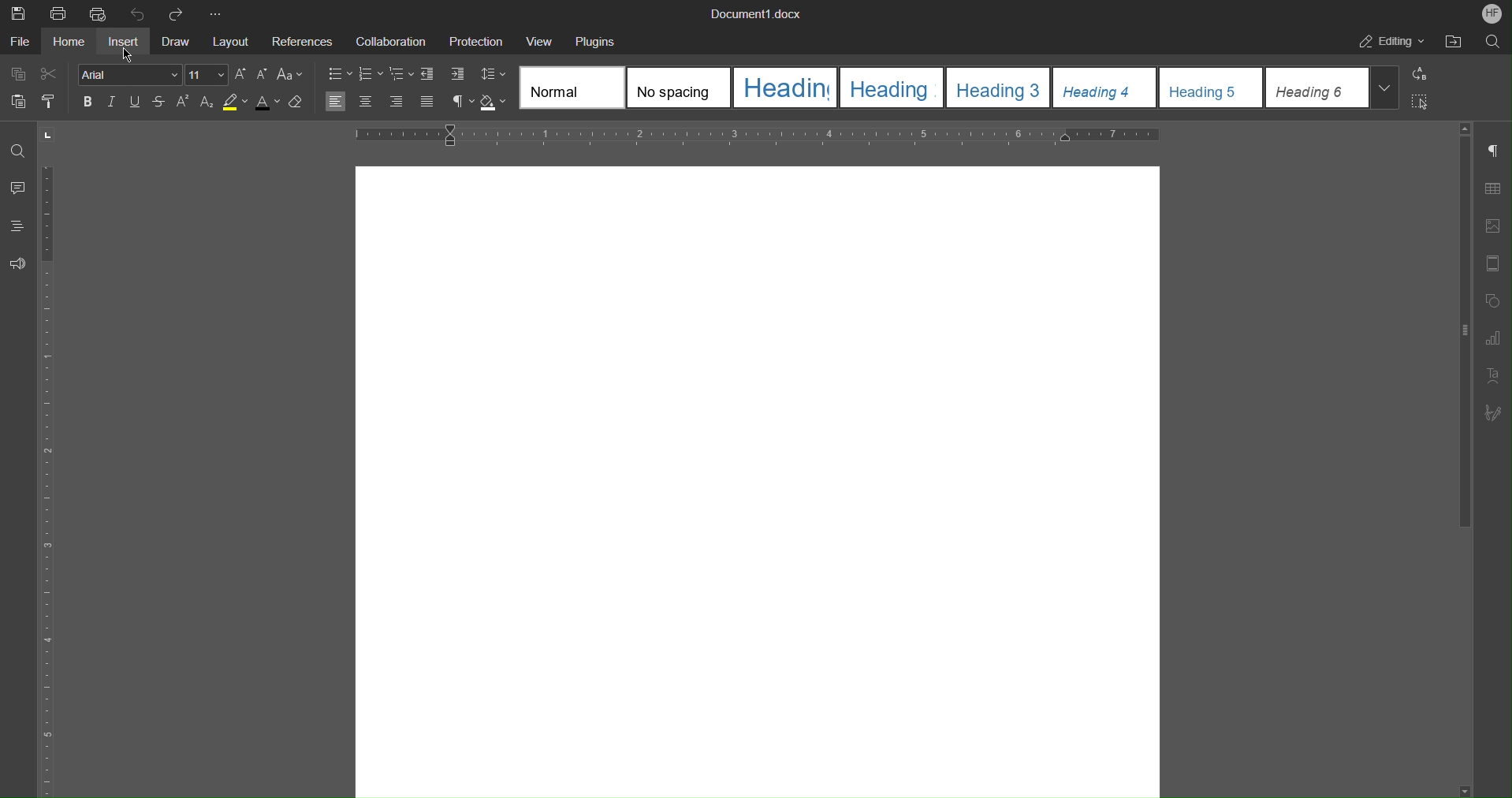 This screenshot has height=798, width=1512. What do you see at coordinates (1490, 42) in the screenshot?
I see `Search` at bounding box center [1490, 42].